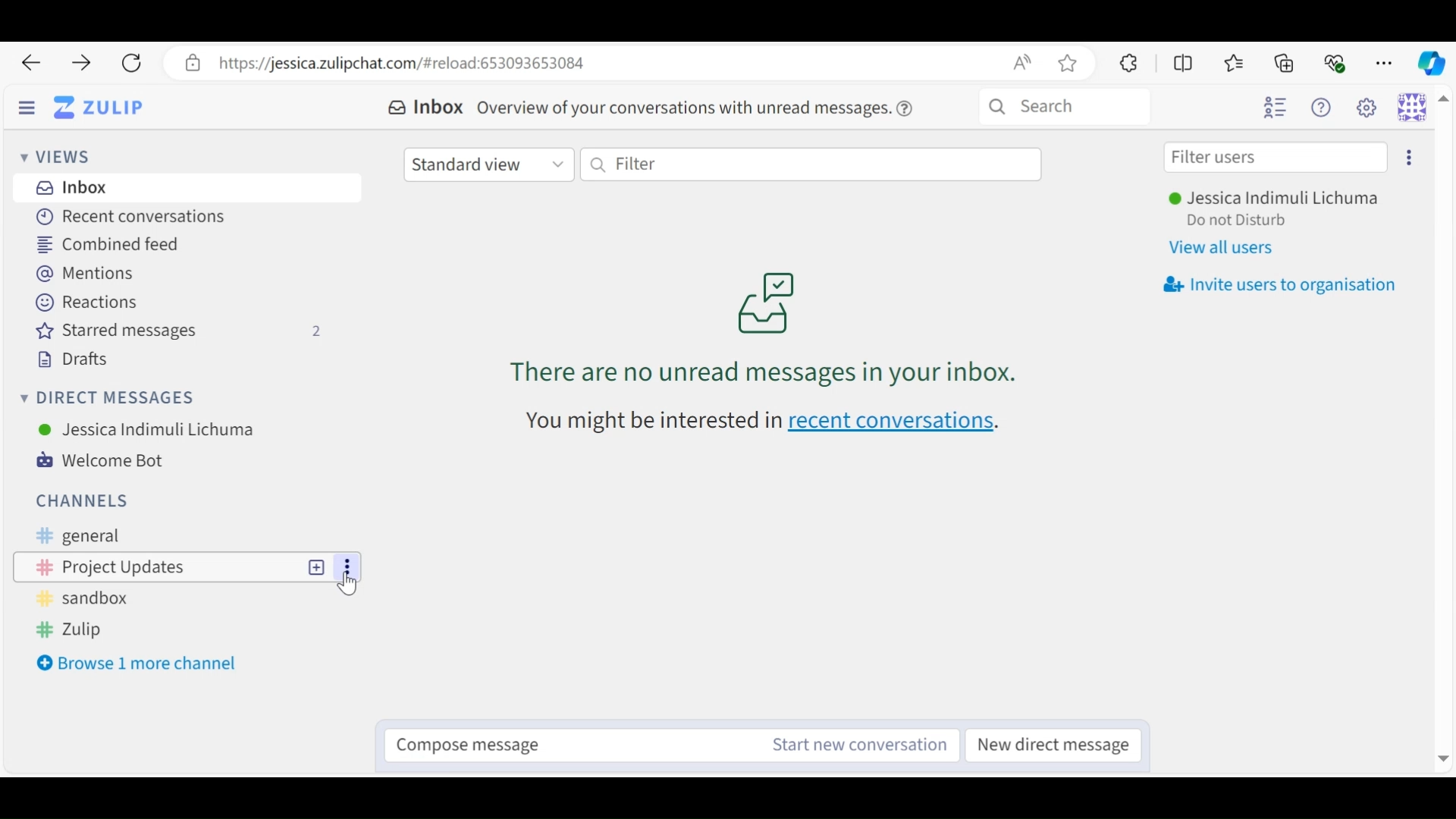  I want to click on Welcome Bot, so click(110, 461).